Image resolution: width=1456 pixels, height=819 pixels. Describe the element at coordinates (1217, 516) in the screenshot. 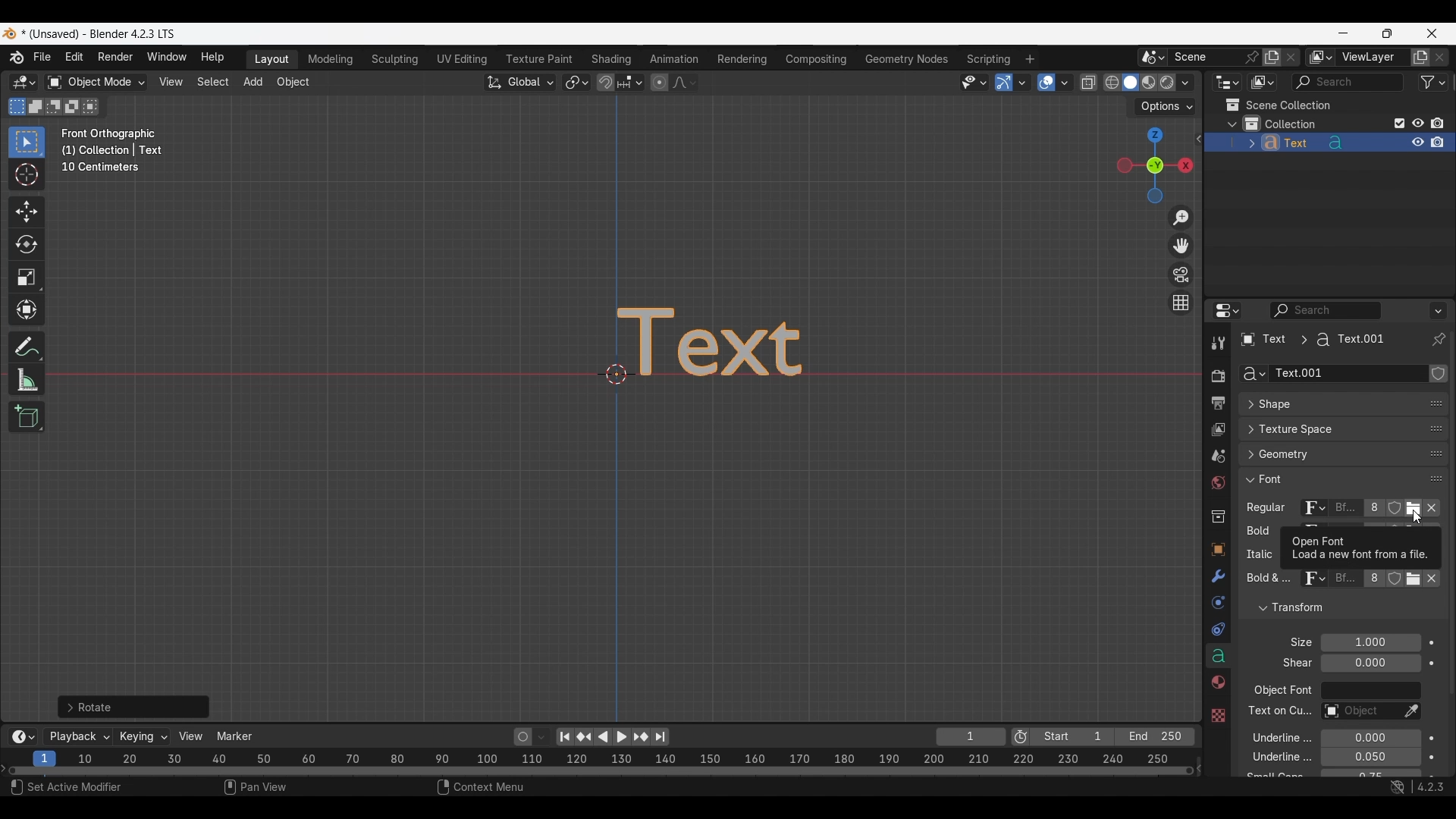

I see `Collection` at that location.